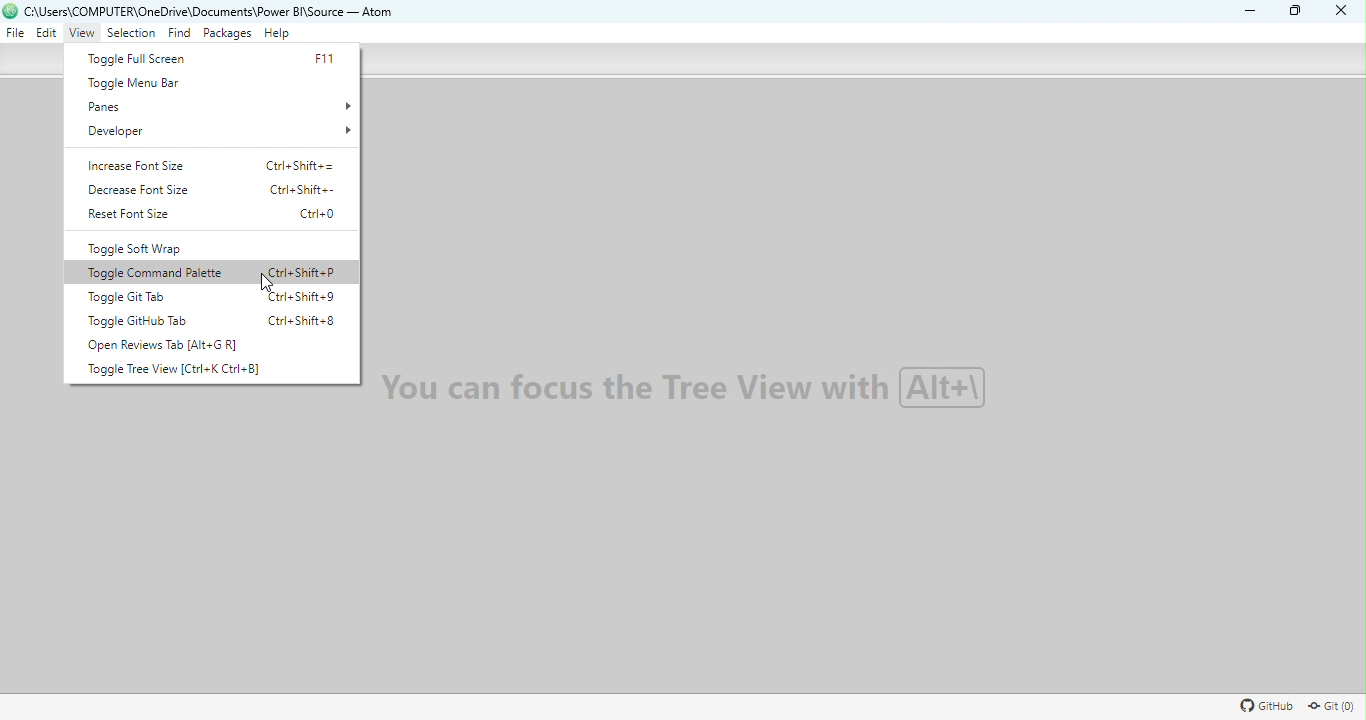 Image resolution: width=1366 pixels, height=720 pixels. I want to click on Maximize, so click(1298, 12).